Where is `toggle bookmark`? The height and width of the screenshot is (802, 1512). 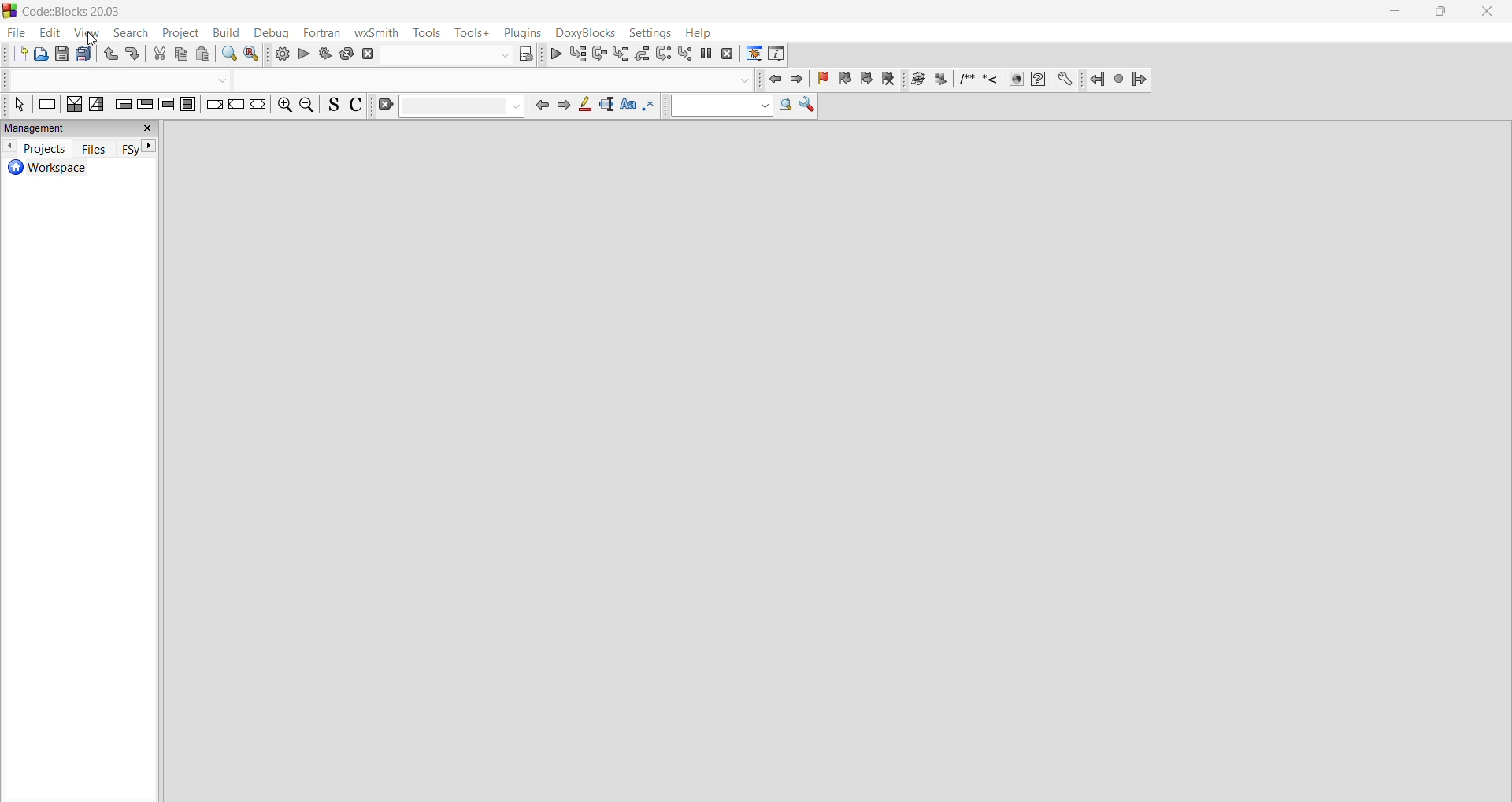
toggle bookmark is located at coordinates (822, 78).